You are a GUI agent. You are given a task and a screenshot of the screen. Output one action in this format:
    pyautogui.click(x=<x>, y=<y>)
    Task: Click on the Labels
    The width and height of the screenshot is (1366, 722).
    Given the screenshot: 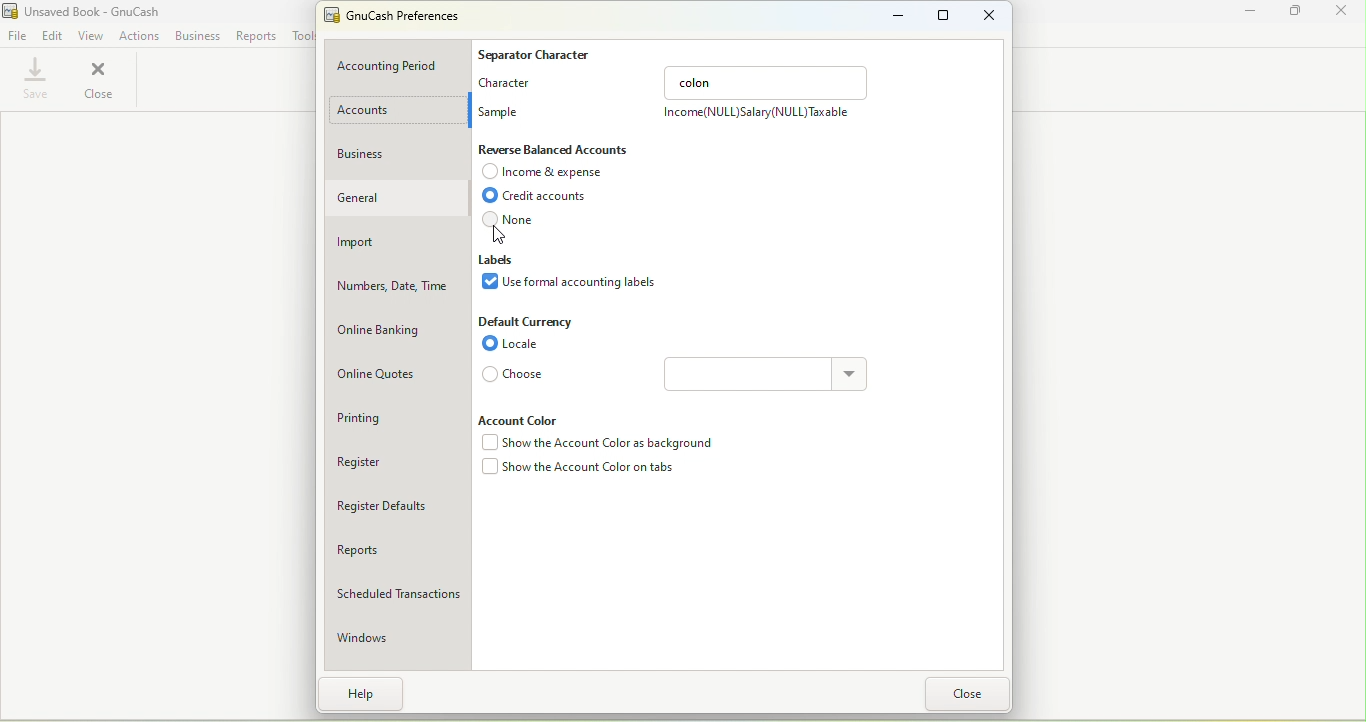 What is the action you would take?
    pyautogui.click(x=501, y=256)
    